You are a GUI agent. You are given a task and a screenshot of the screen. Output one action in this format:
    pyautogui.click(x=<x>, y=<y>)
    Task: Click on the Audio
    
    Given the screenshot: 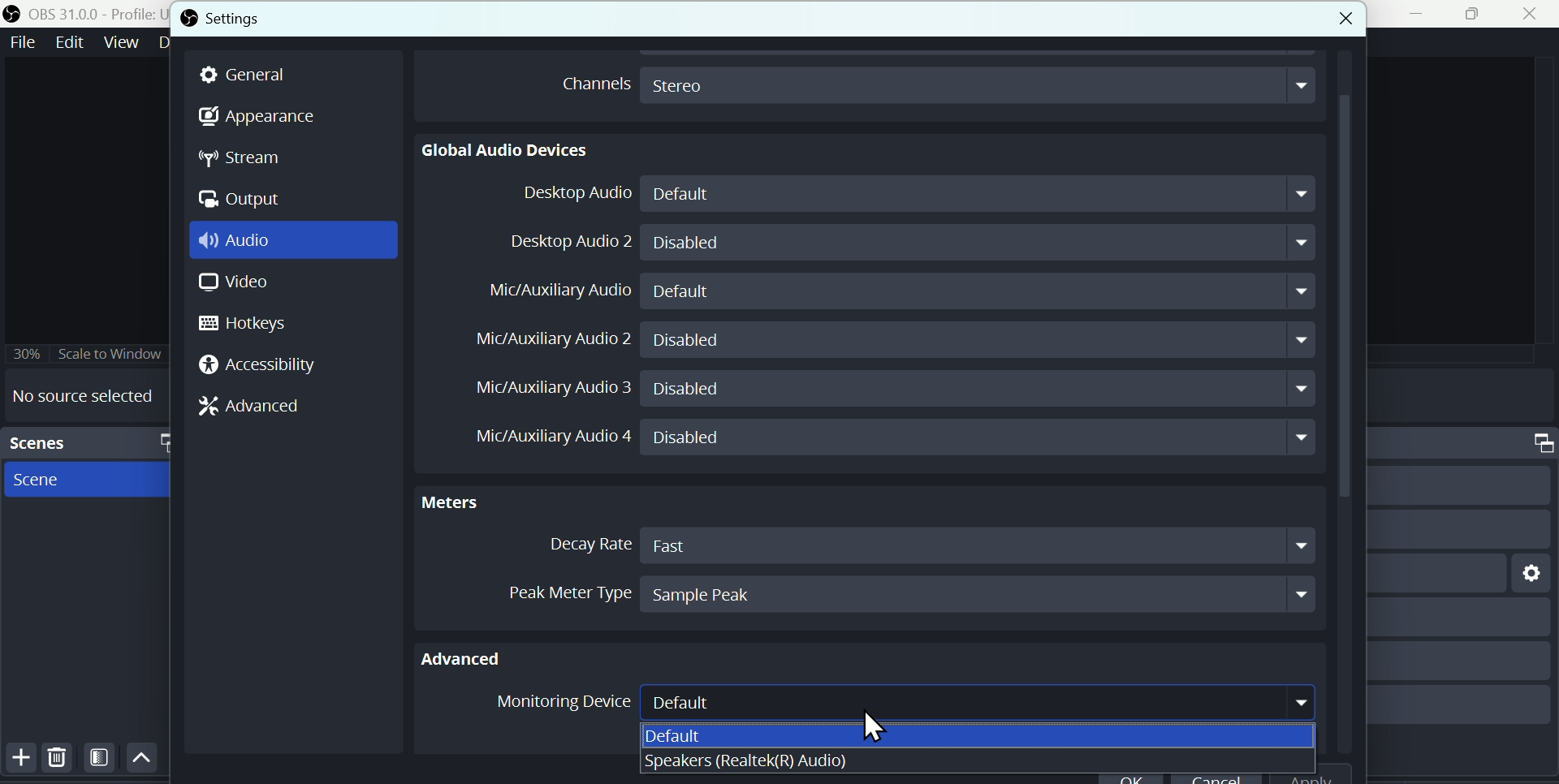 What is the action you would take?
    pyautogui.click(x=242, y=242)
    